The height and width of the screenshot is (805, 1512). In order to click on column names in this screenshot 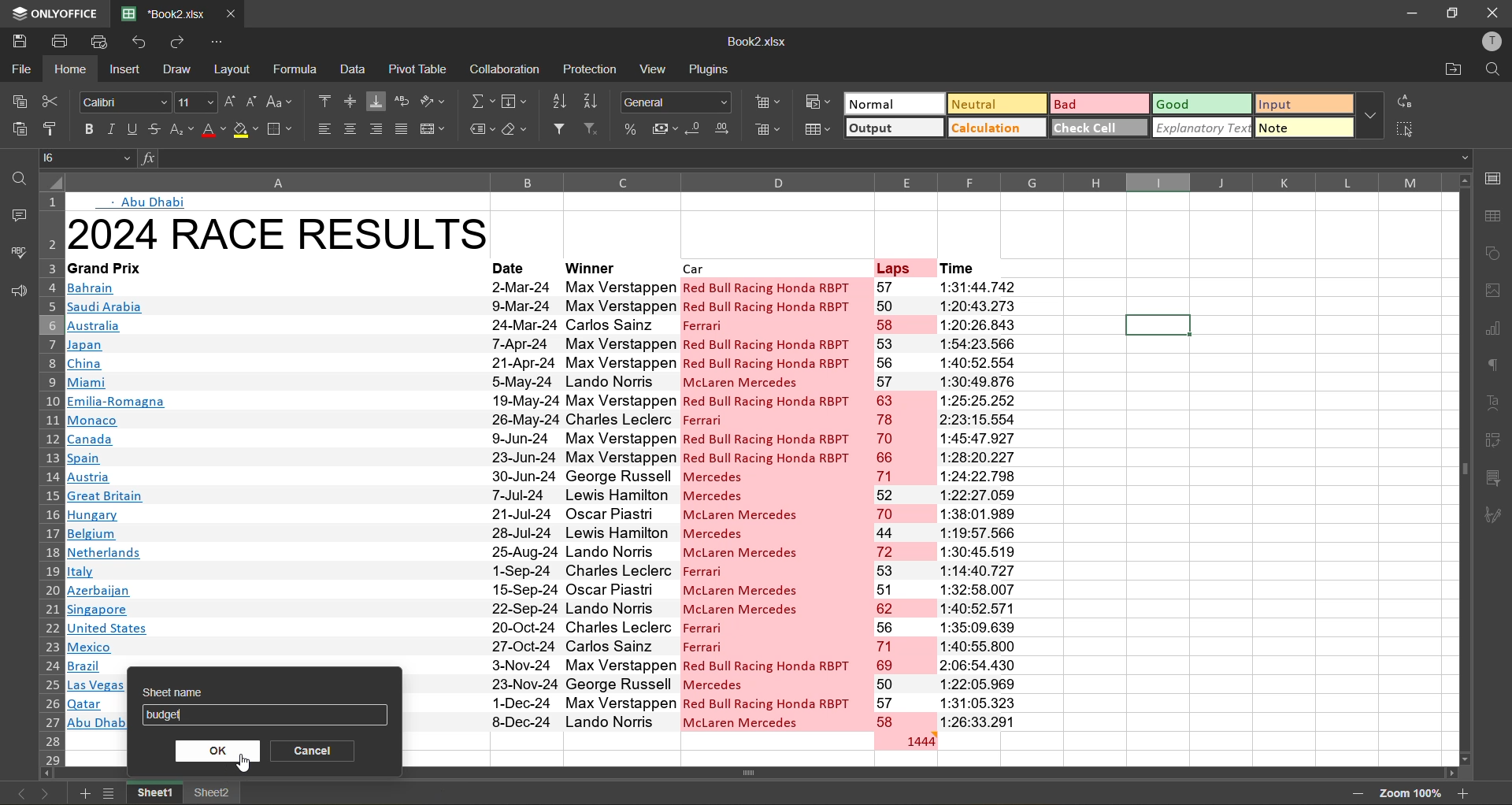, I will do `click(757, 179)`.